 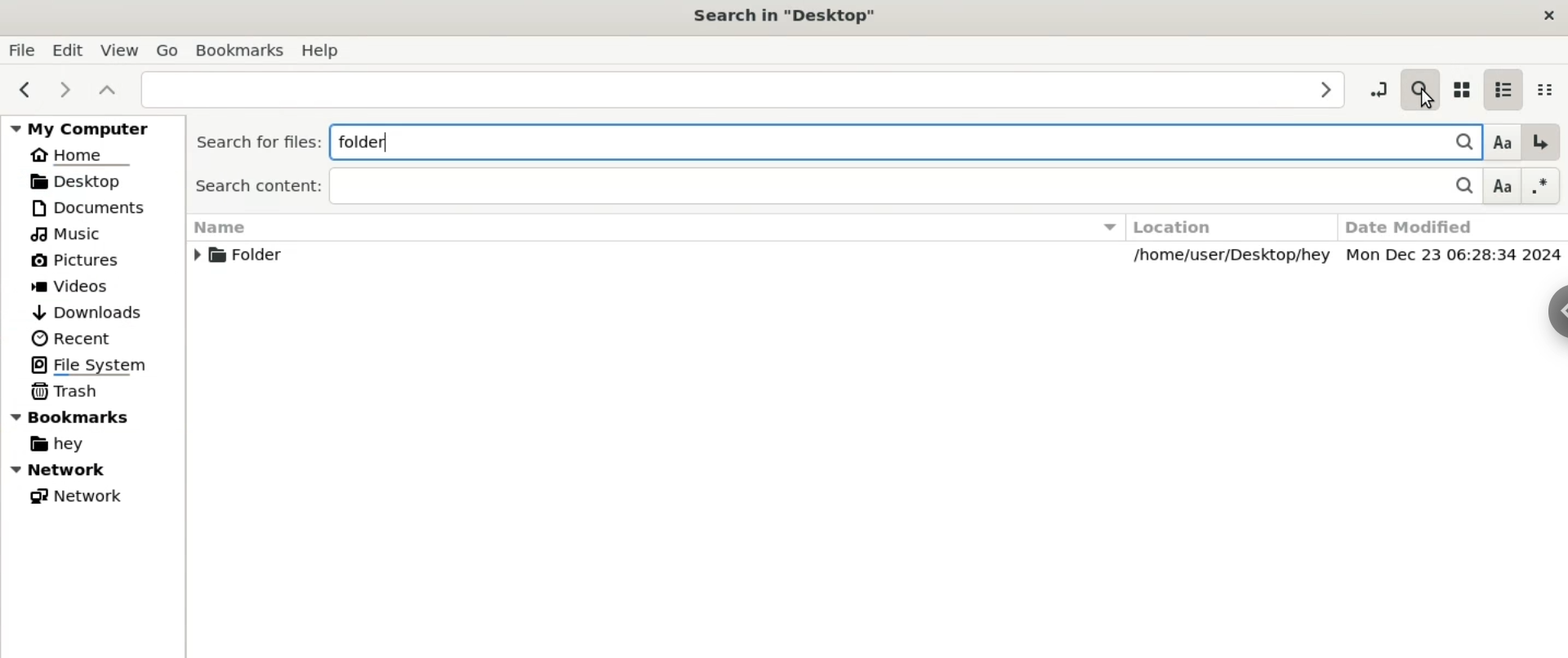 What do you see at coordinates (106, 88) in the screenshot?
I see `parent folders` at bounding box center [106, 88].